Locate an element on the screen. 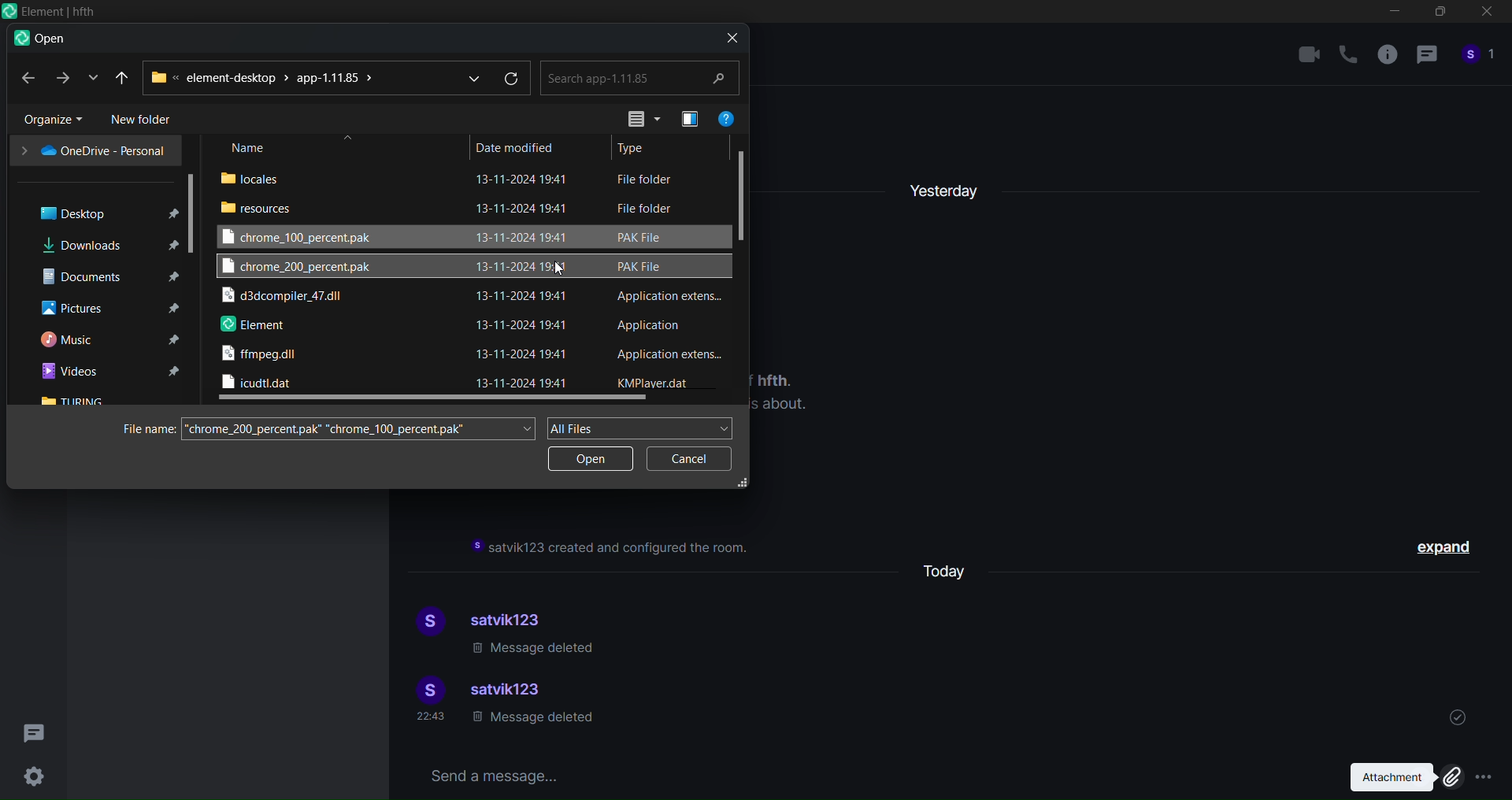 This screenshot has height=800, width=1512. documents is located at coordinates (105, 276).